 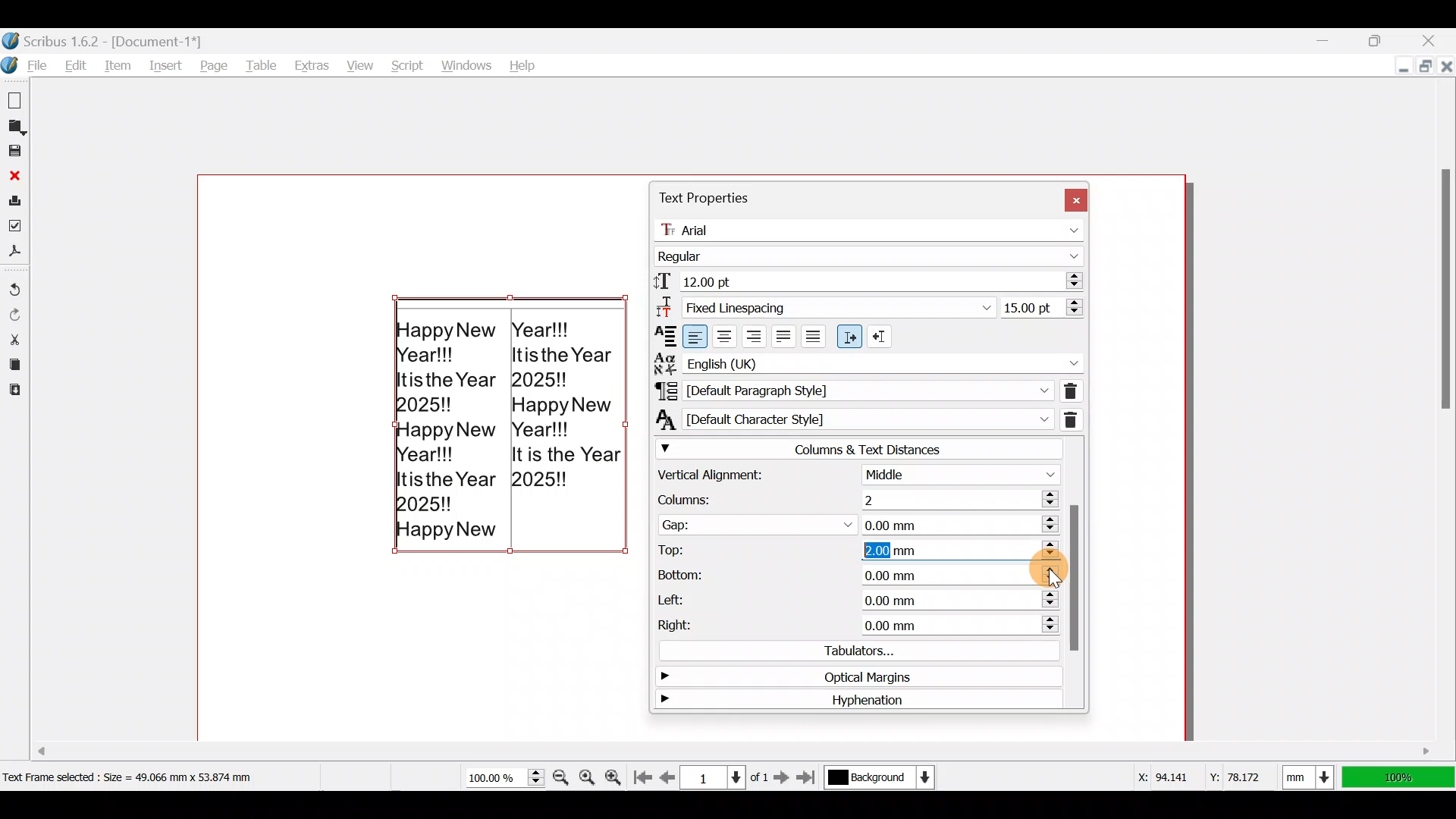 I want to click on Cut, so click(x=14, y=338).